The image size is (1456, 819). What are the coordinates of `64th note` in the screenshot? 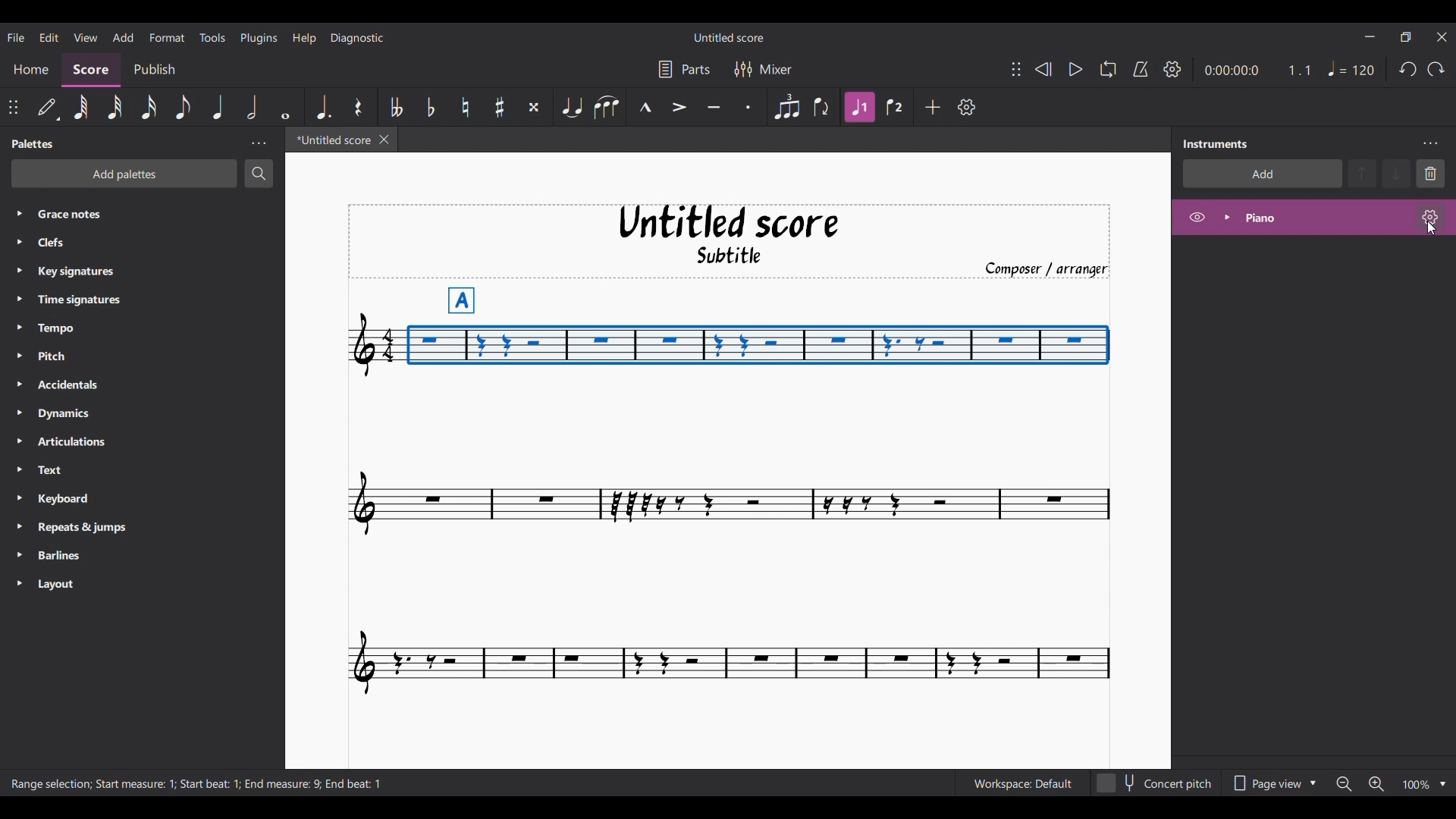 It's located at (81, 107).